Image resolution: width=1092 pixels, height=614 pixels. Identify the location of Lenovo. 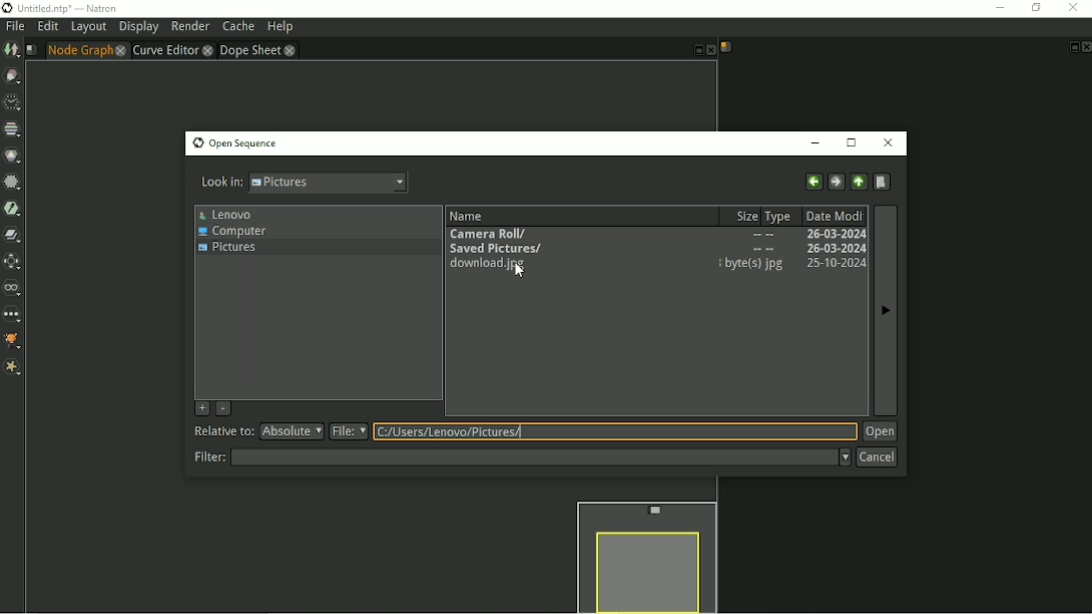
(227, 214).